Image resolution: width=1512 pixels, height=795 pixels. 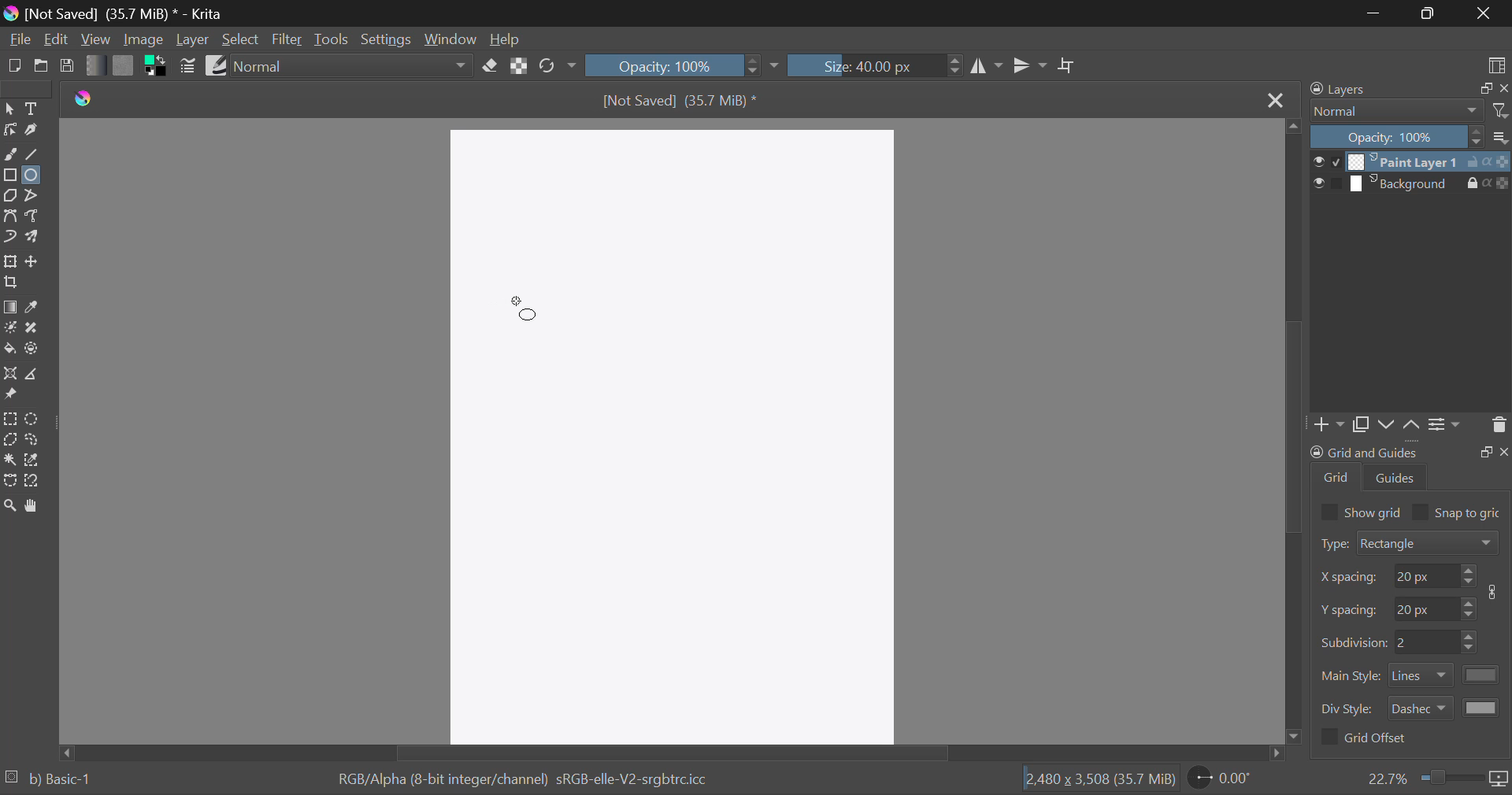 I want to click on Delete Layer, so click(x=1498, y=428).